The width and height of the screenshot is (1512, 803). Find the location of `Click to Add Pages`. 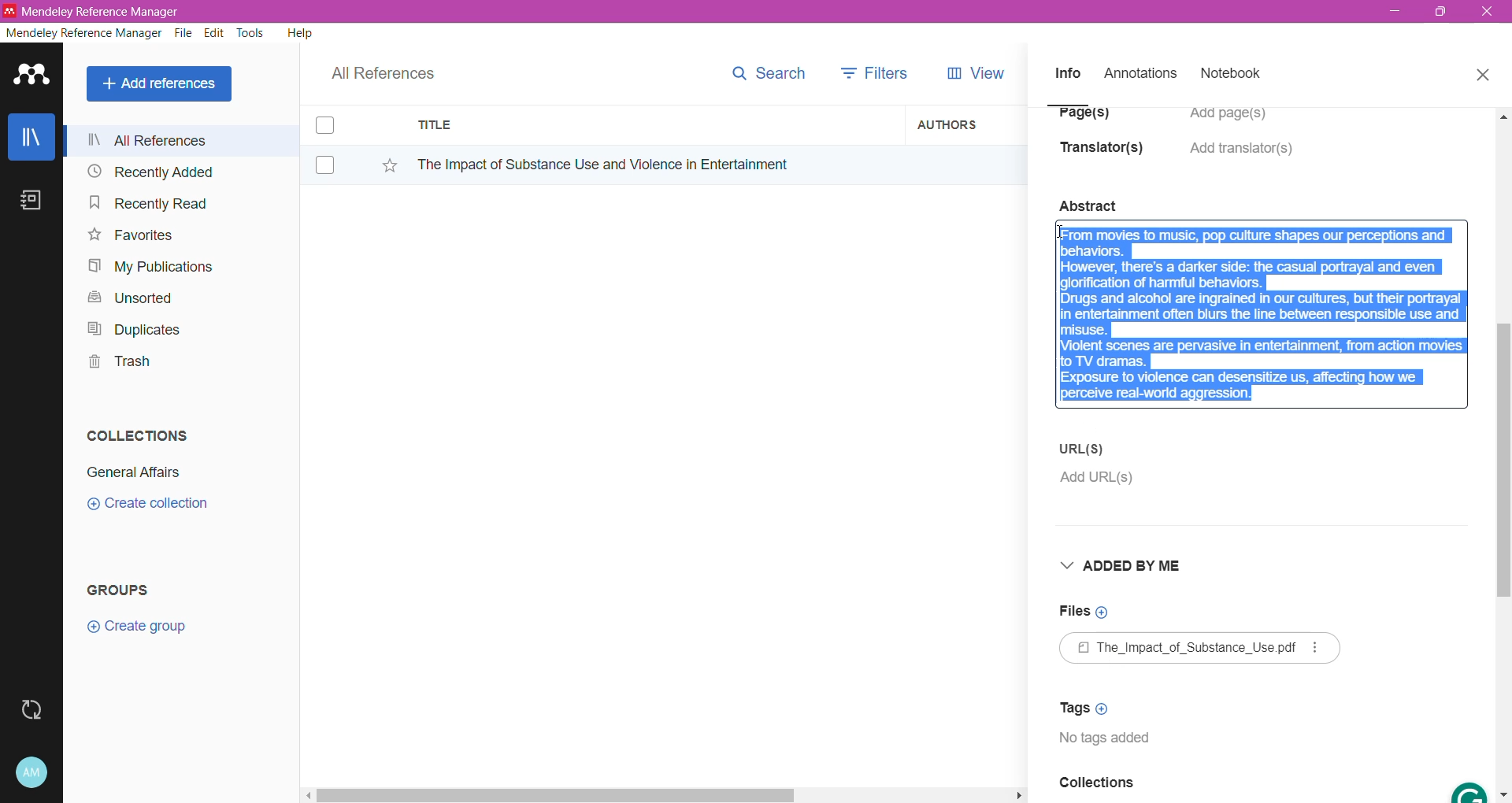

Click to Add Pages is located at coordinates (1236, 121).